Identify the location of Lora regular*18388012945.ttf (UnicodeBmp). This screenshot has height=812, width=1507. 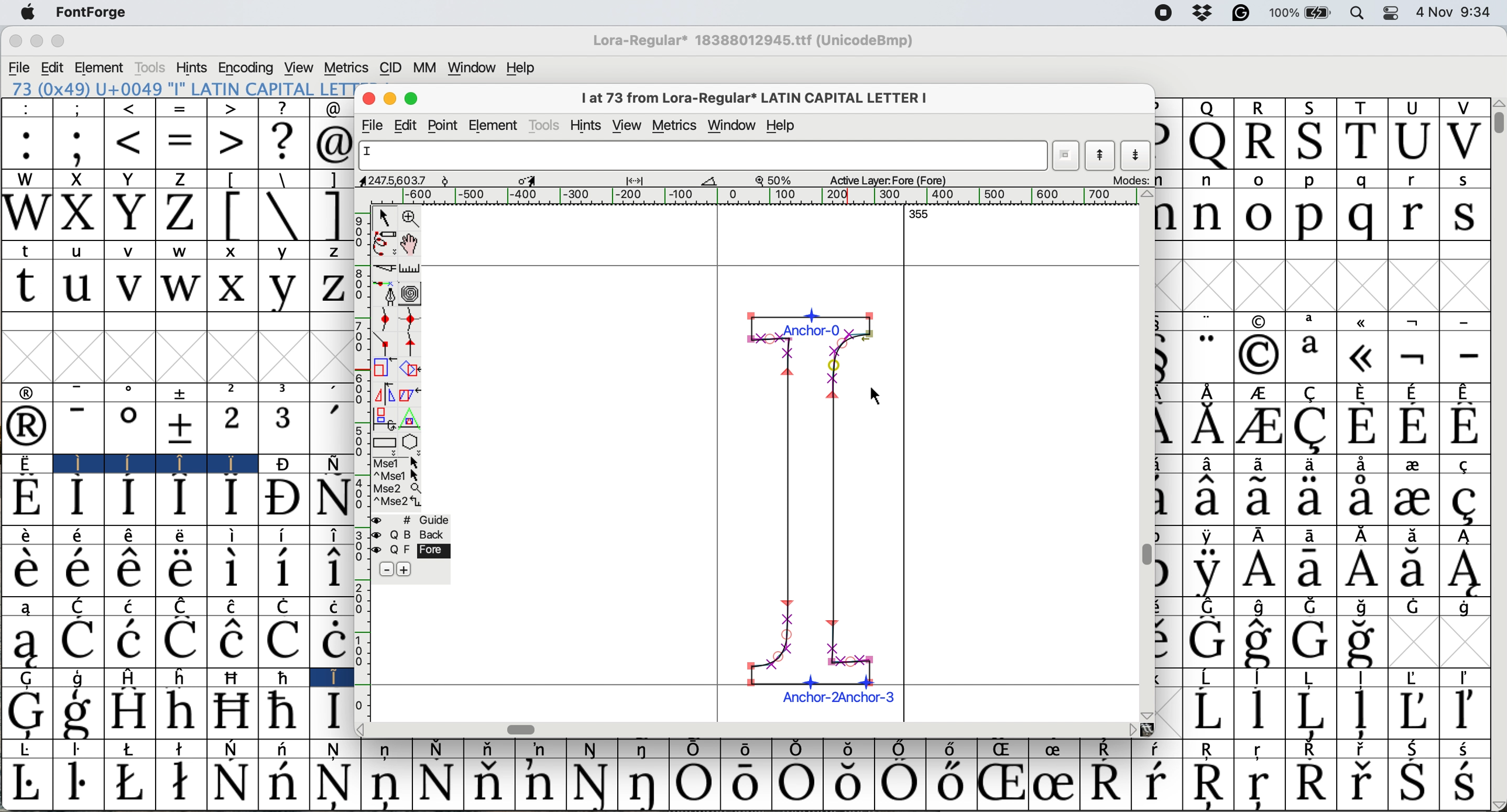
(750, 42).